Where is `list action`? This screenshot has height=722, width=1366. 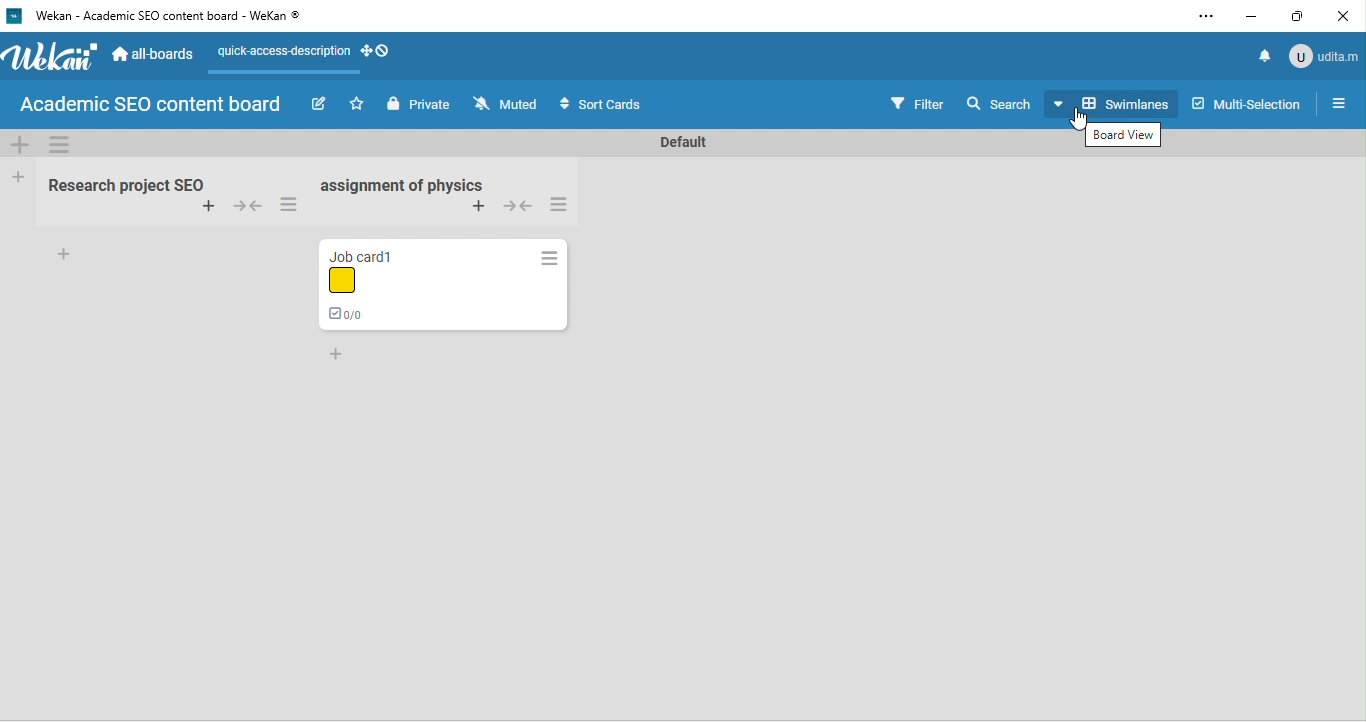
list action is located at coordinates (548, 258).